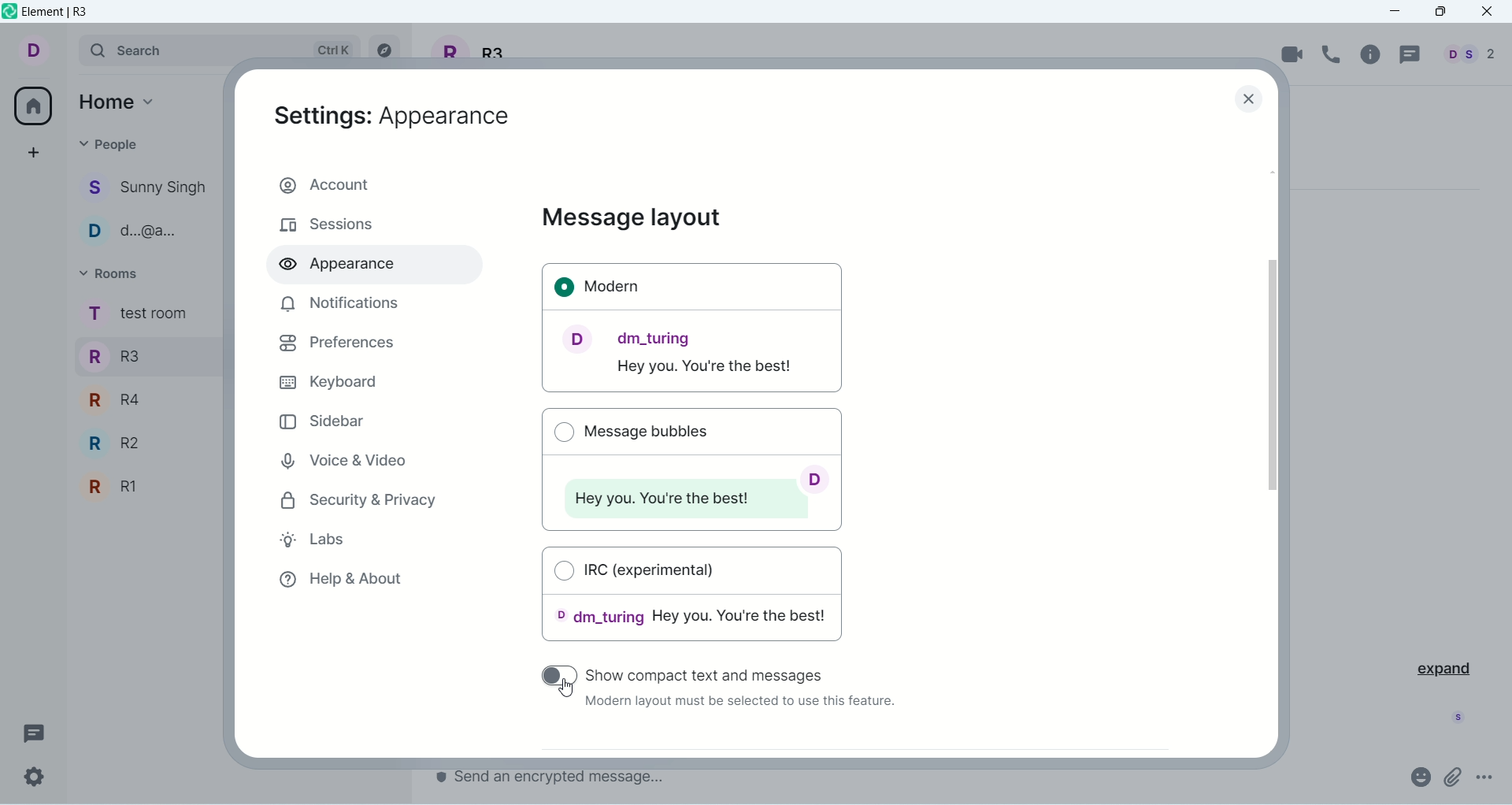 Image resolution: width=1512 pixels, height=805 pixels. Describe the element at coordinates (1277, 459) in the screenshot. I see `vertical scroll bar` at that location.